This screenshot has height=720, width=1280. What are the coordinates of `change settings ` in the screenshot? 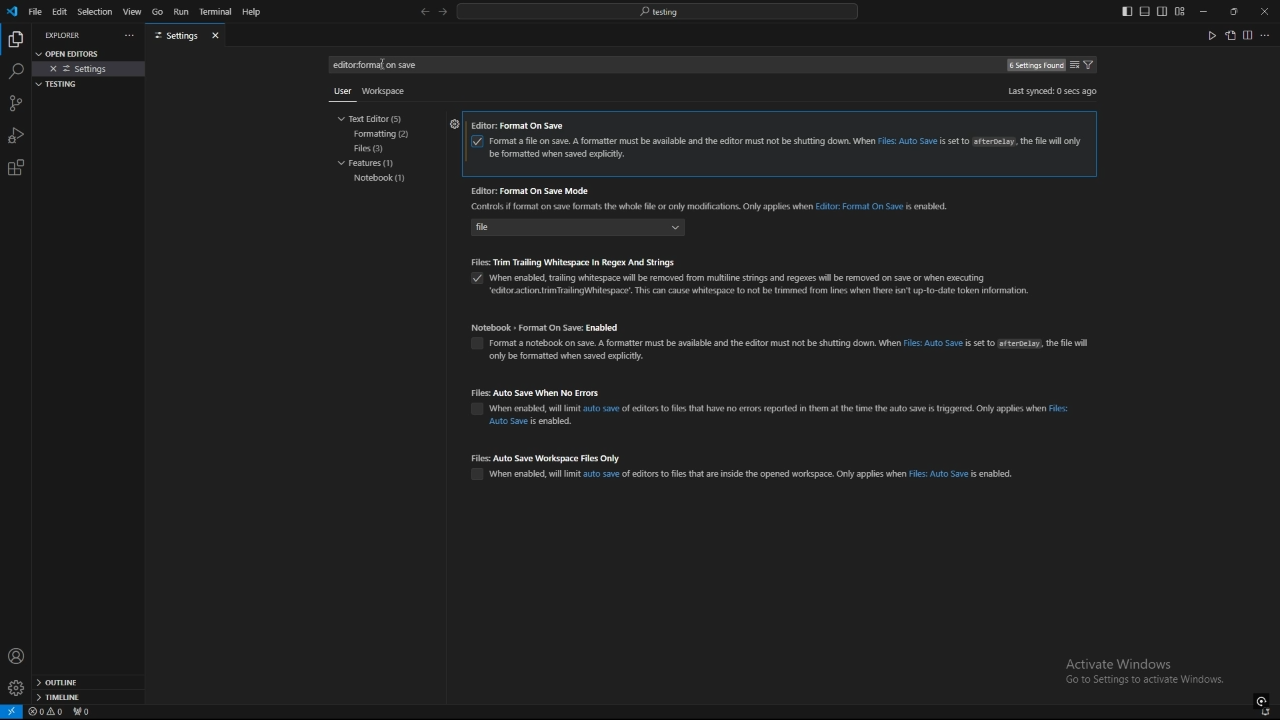 It's located at (1074, 65).